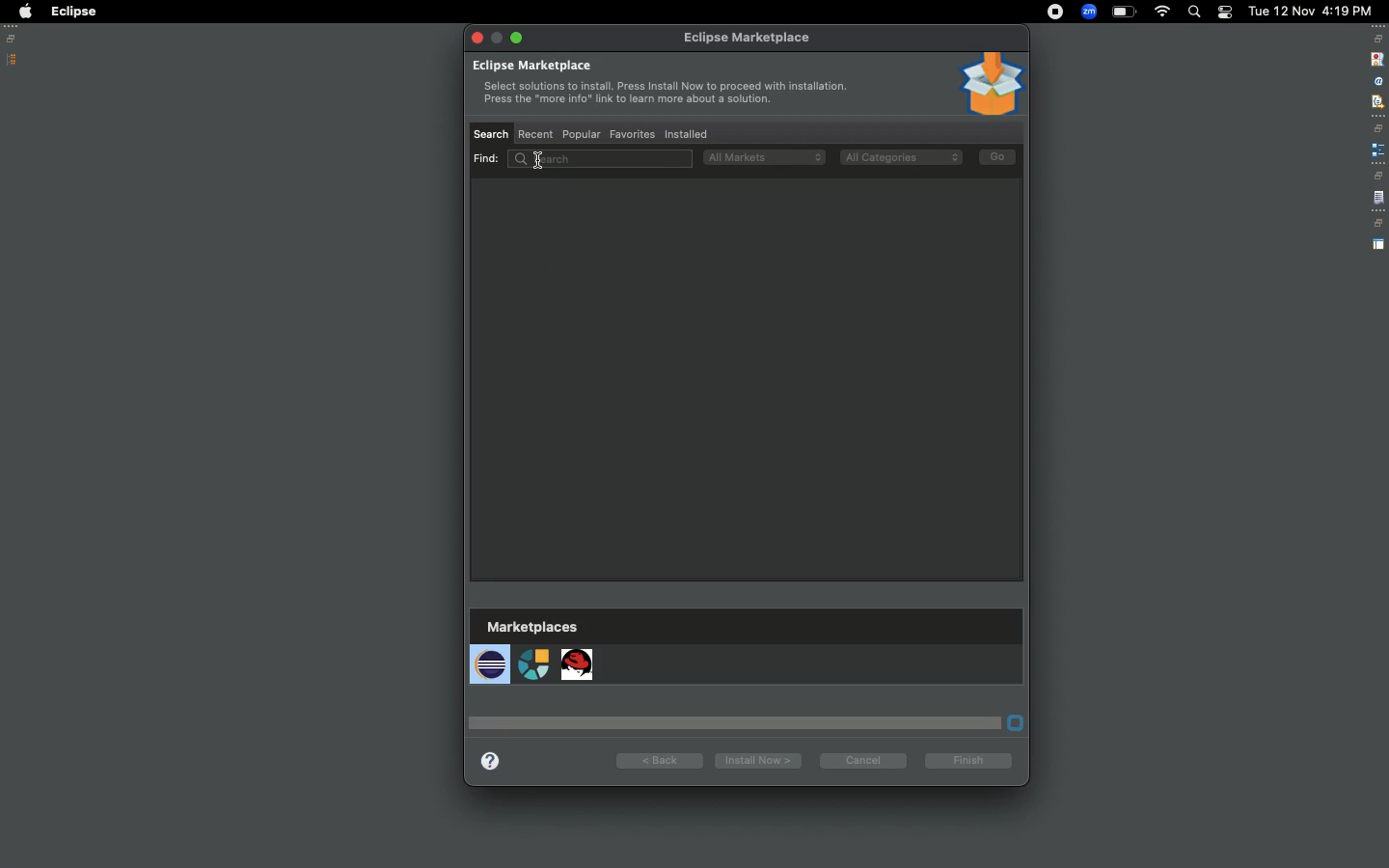 This screenshot has width=1389, height=868. I want to click on Popular, so click(580, 134).